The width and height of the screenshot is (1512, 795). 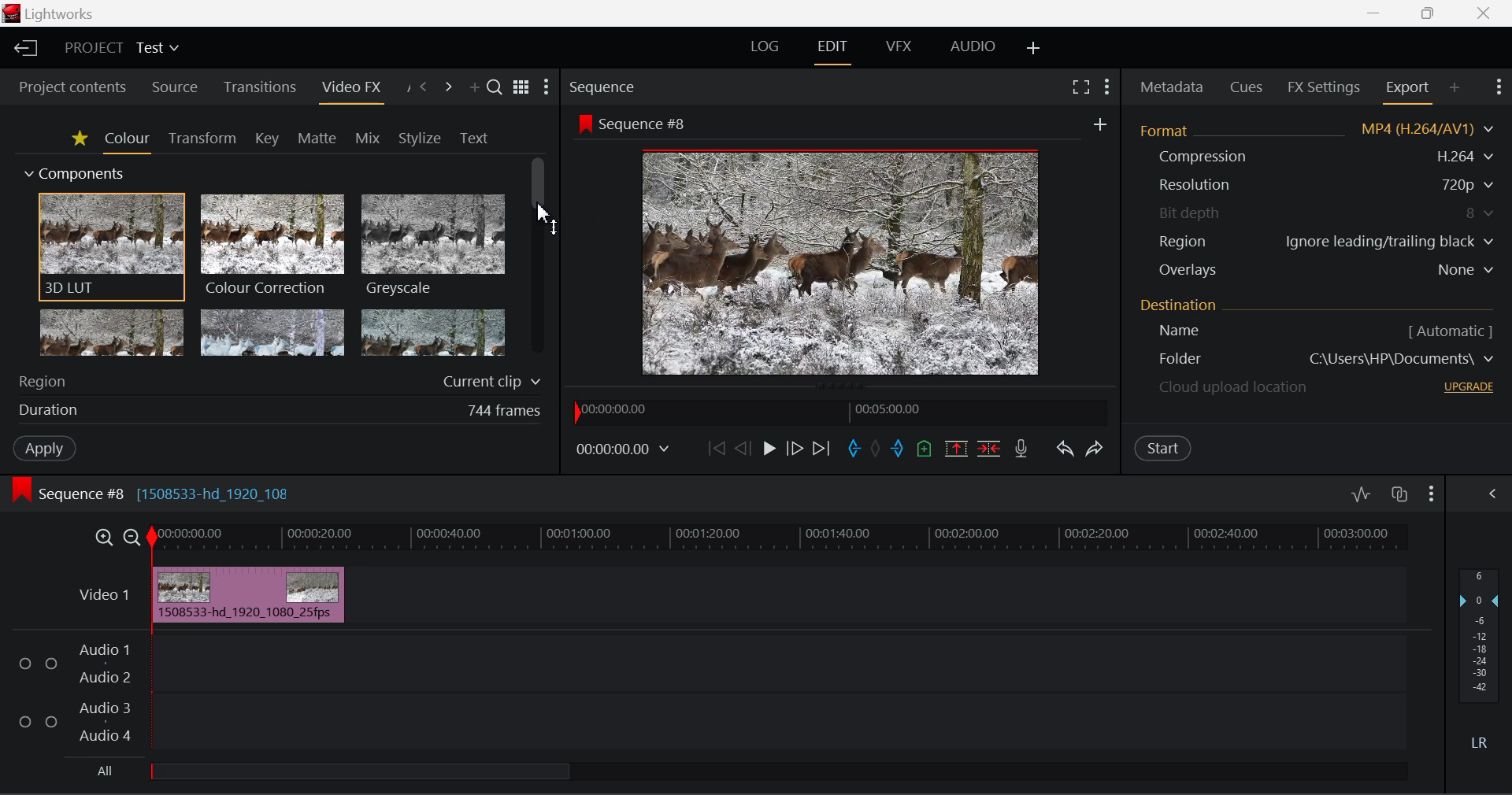 I want to click on None , so click(x=1467, y=270).